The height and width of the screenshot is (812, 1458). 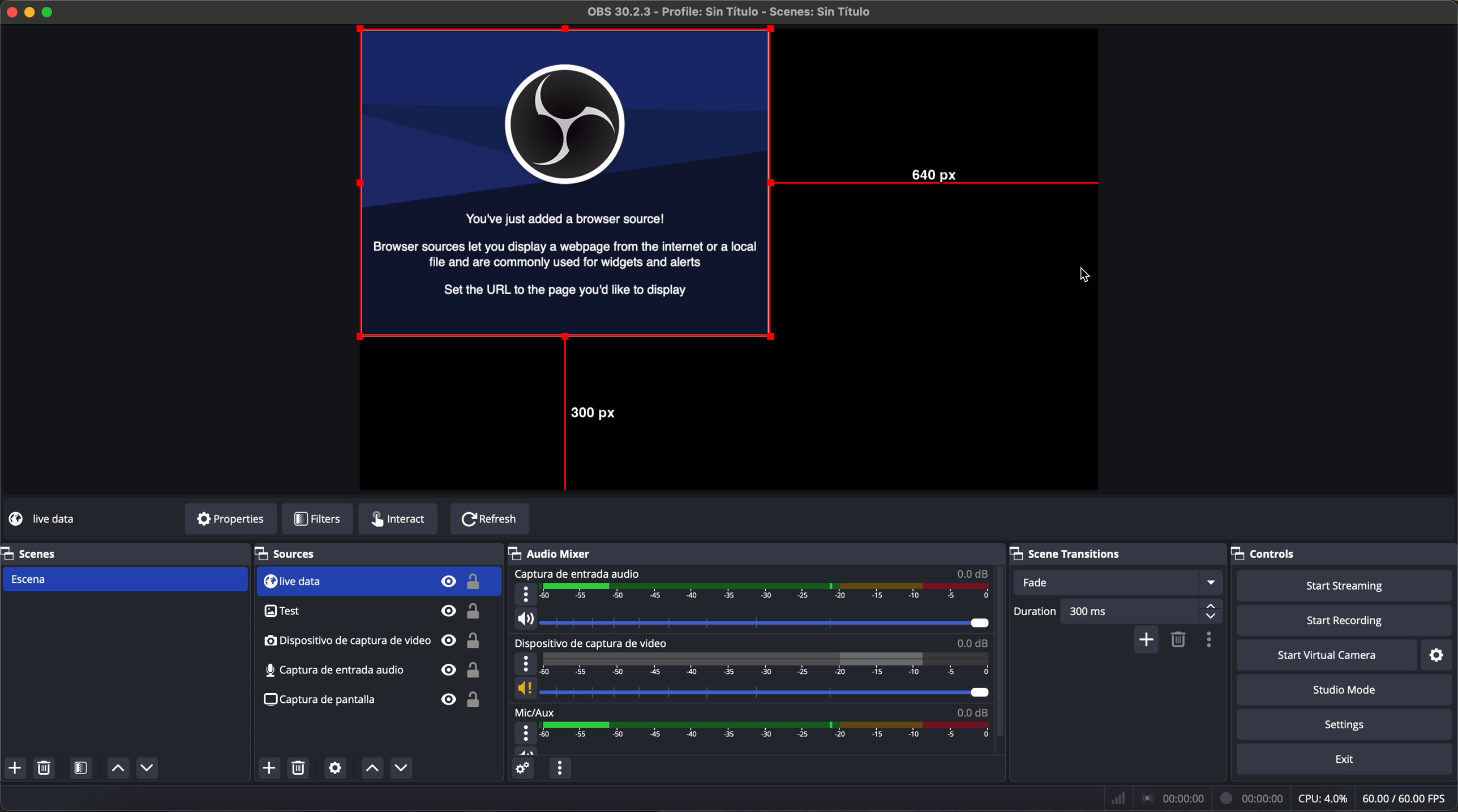 What do you see at coordinates (1439, 656) in the screenshot?
I see `settings` at bounding box center [1439, 656].